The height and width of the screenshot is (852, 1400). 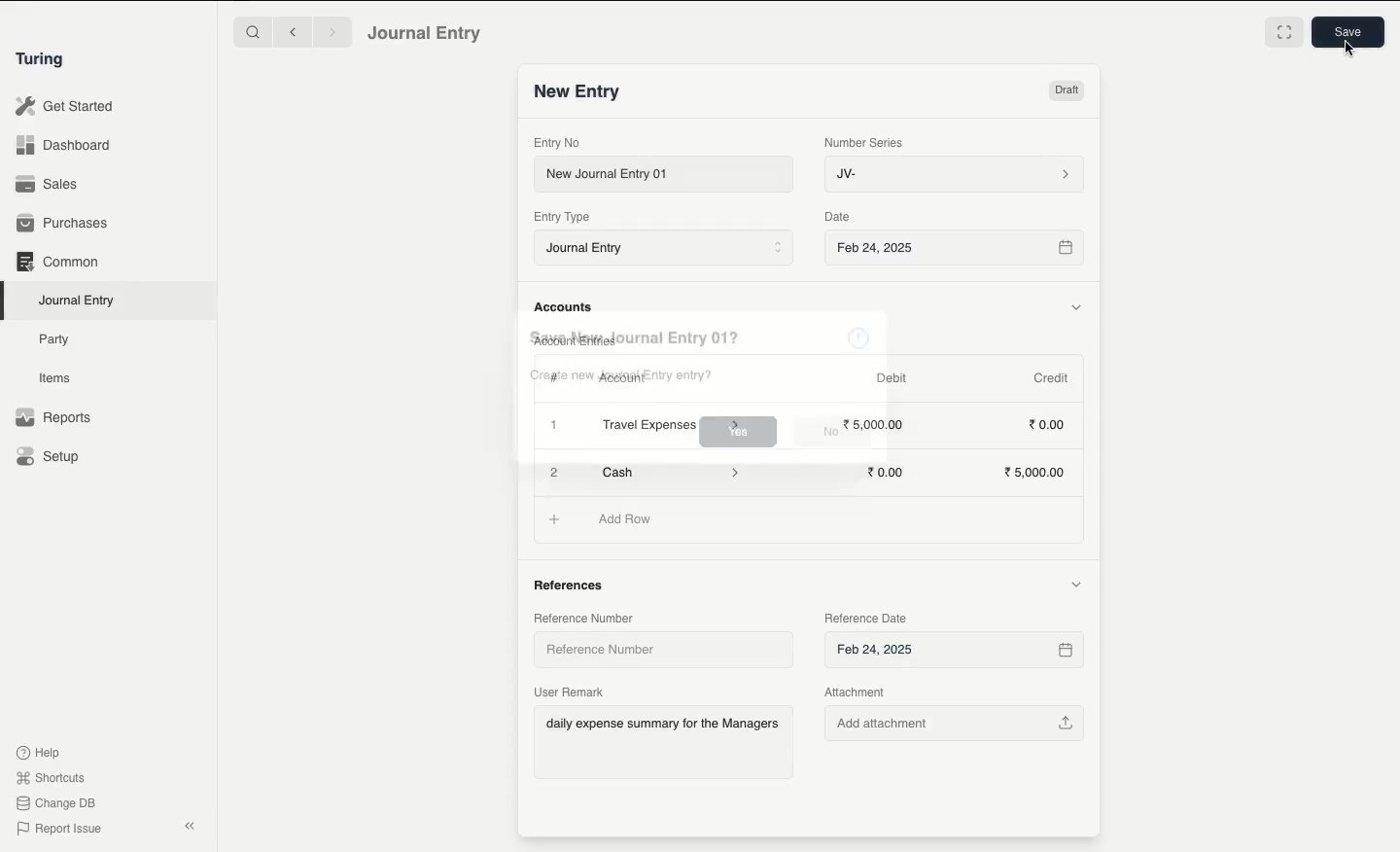 What do you see at coordinates (293, 31) in the screenshot?
I see `Backward` at bounding box center [293, 31].